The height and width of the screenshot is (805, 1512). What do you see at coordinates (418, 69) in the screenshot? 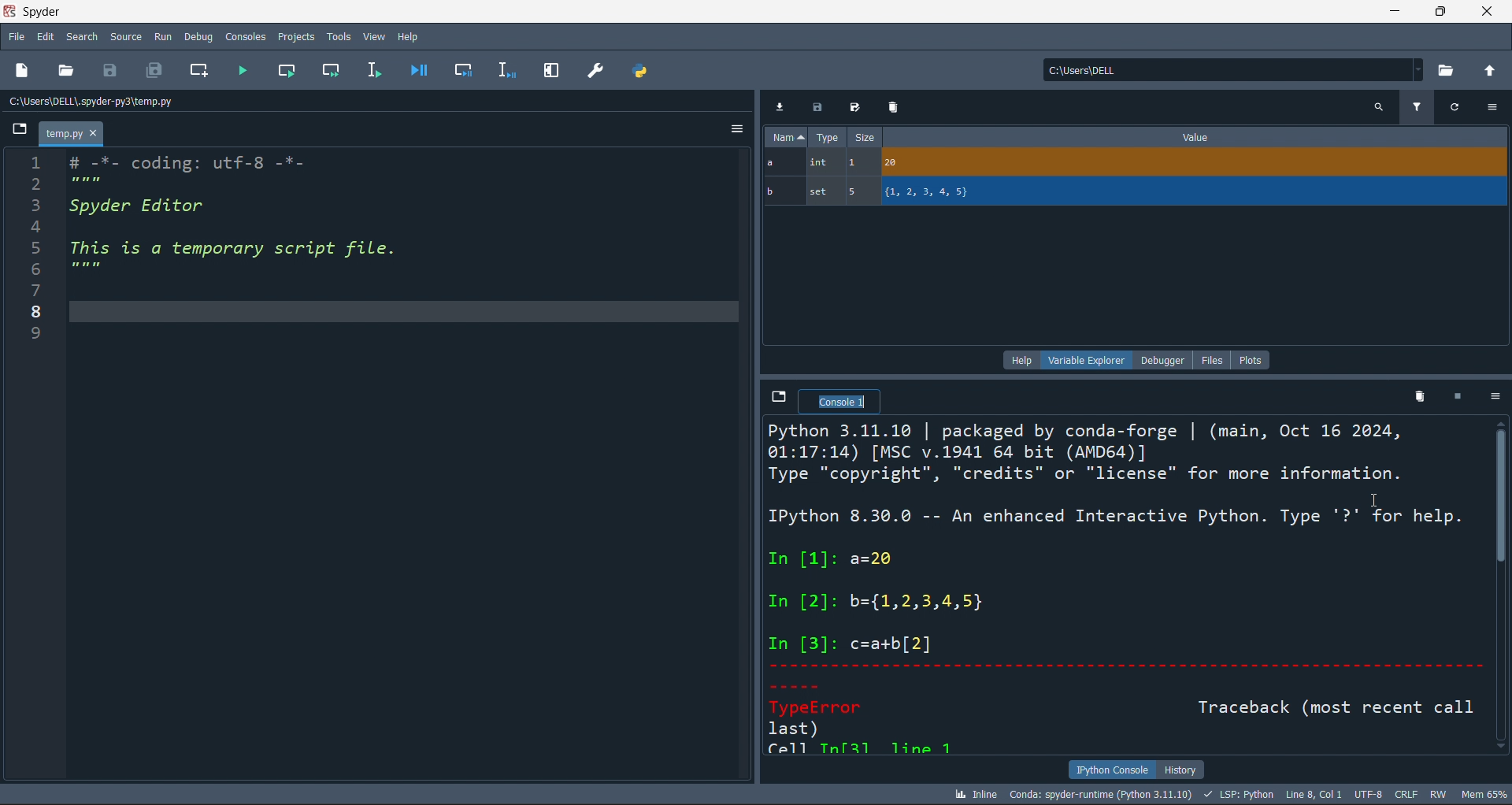
I see `debug file` at bounding box center [418, 69].